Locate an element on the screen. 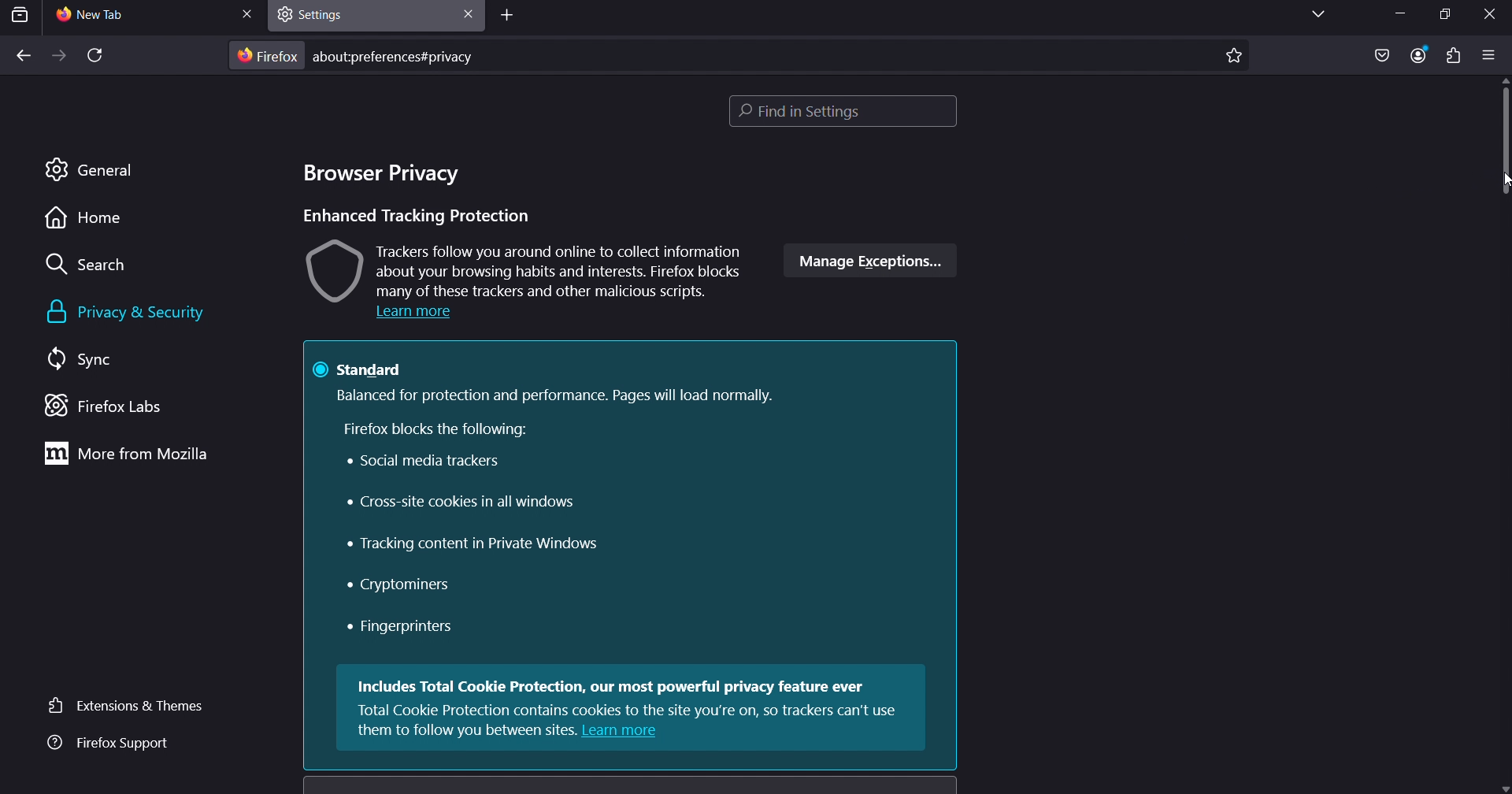 This screenshot has height=794, width=1512. settings is located at coordinates (322, 13).